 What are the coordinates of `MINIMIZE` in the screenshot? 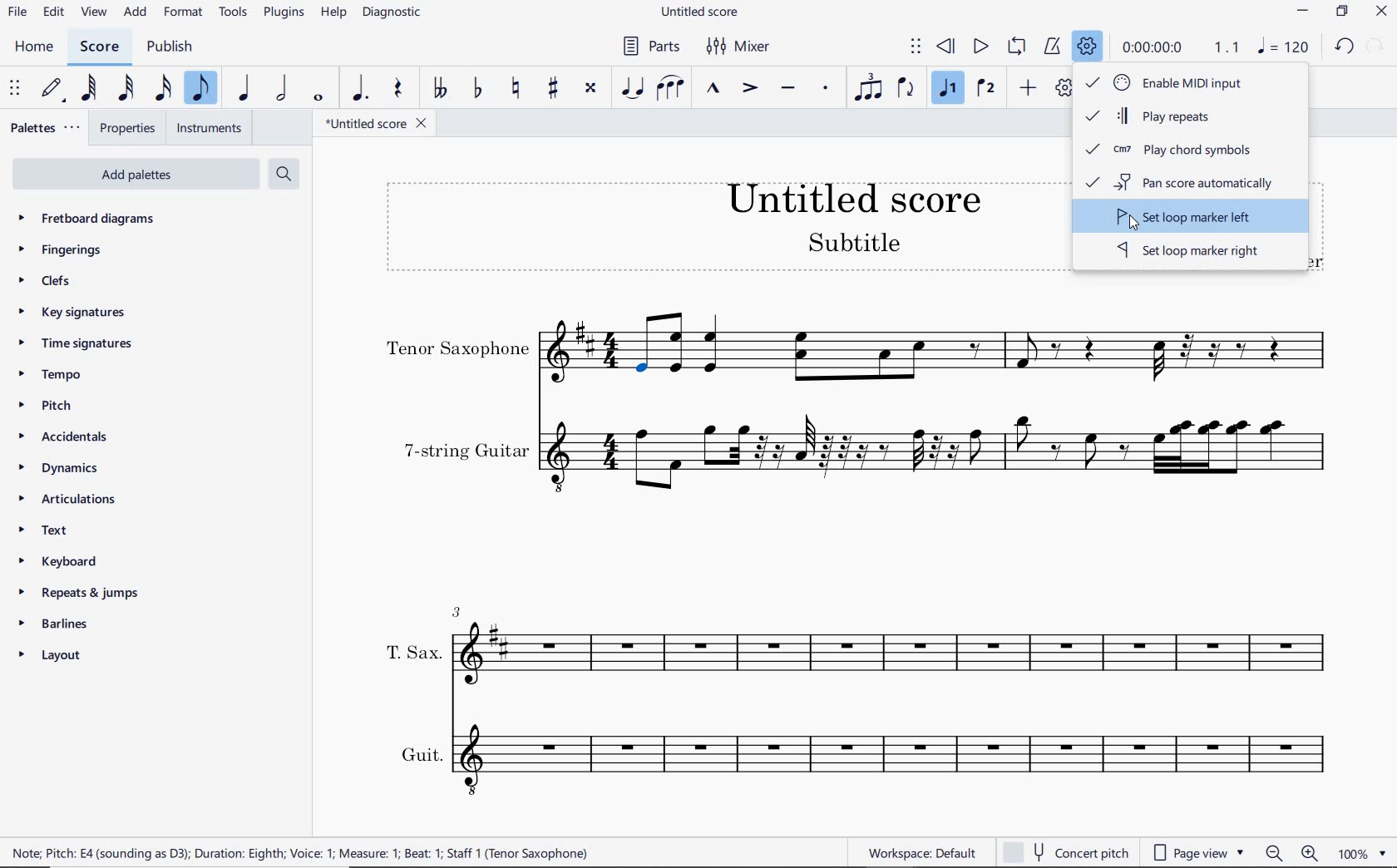 It's located at (1306, 11).